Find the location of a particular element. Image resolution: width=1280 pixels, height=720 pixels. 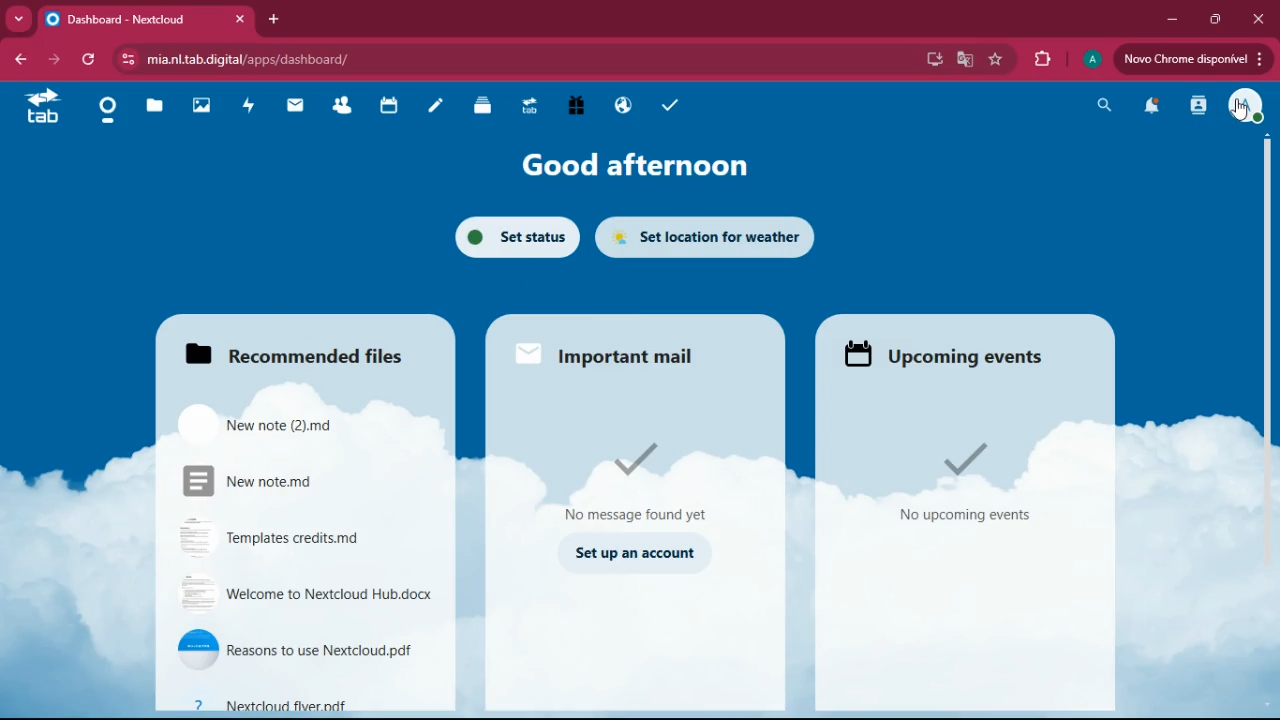

set status is located at coordinates (519, 239).